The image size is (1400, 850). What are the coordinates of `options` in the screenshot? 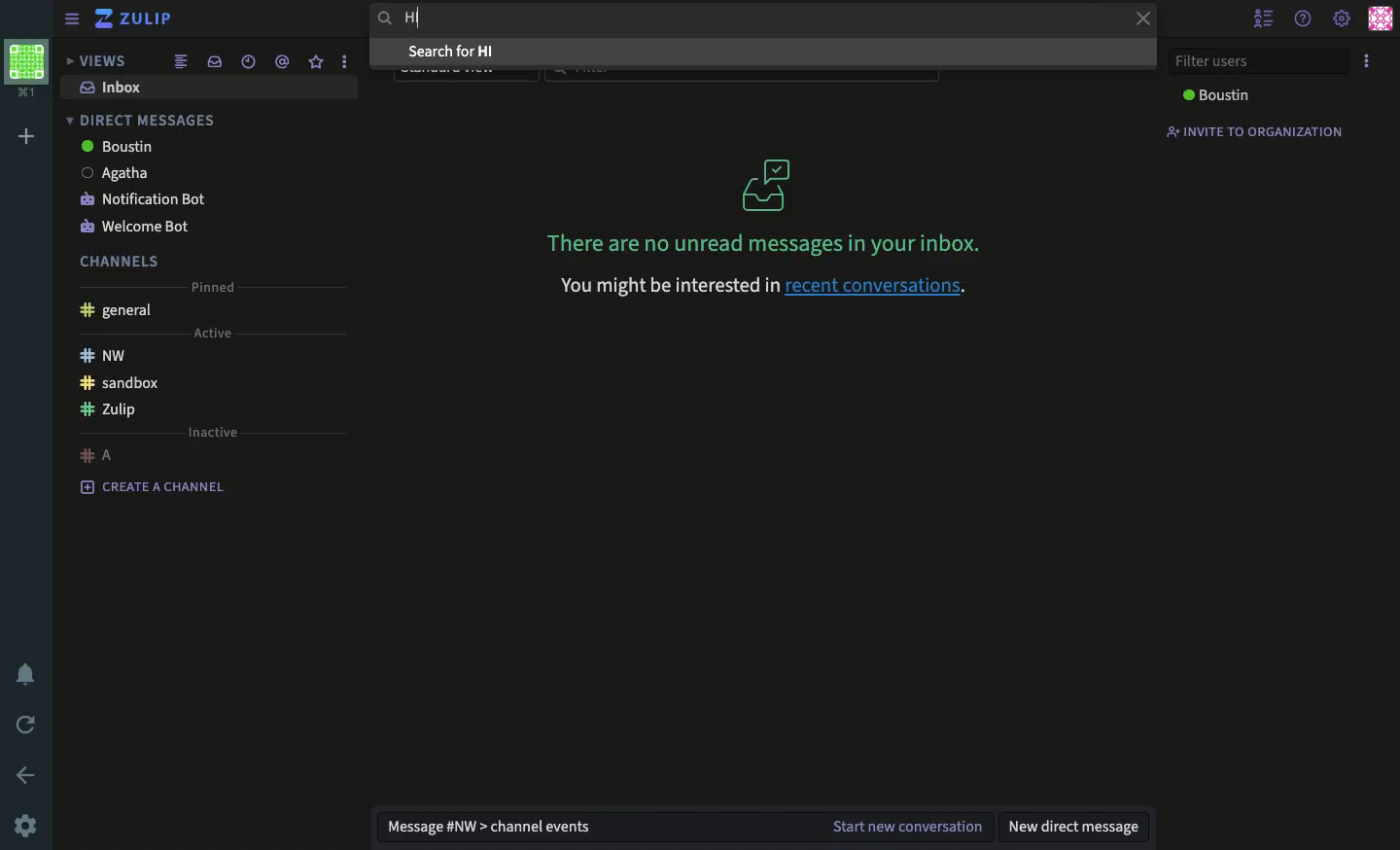 It's located at (344, 62).